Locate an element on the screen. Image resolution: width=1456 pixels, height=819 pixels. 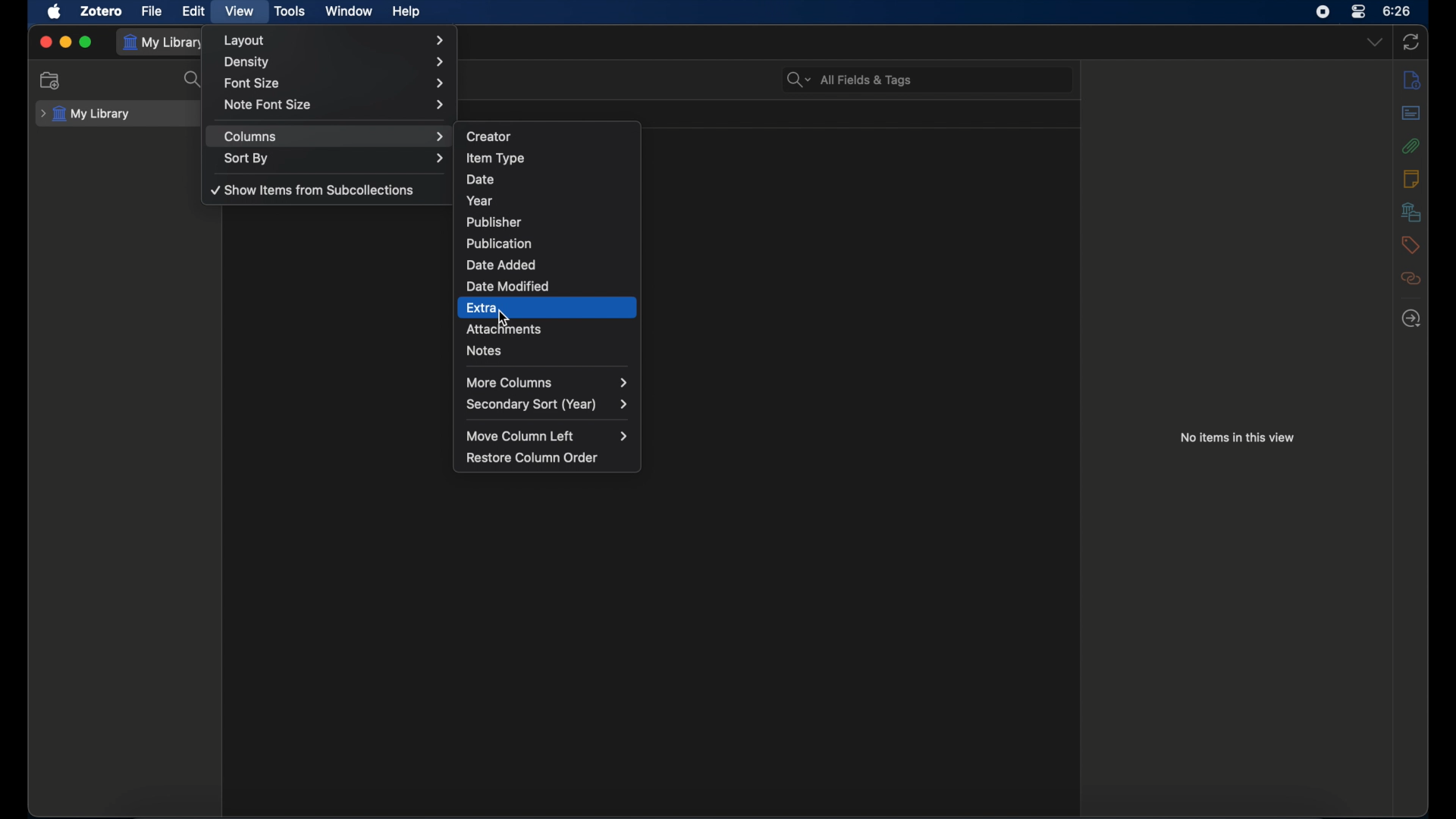
notes is located at coordinates (548, 355).